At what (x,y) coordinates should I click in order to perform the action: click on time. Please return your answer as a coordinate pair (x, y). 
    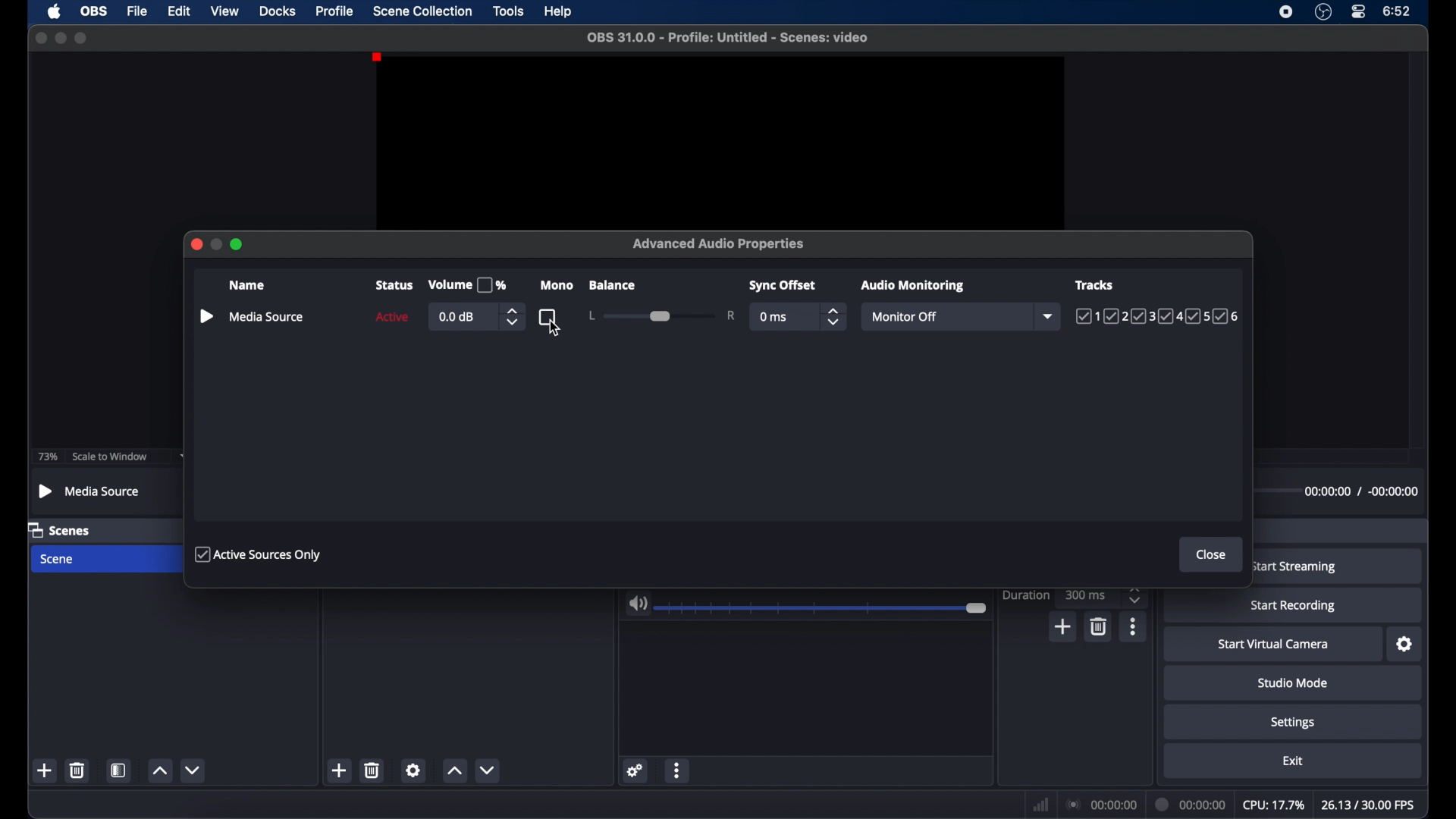
    Looking at the image, I should click on (1398, 12).